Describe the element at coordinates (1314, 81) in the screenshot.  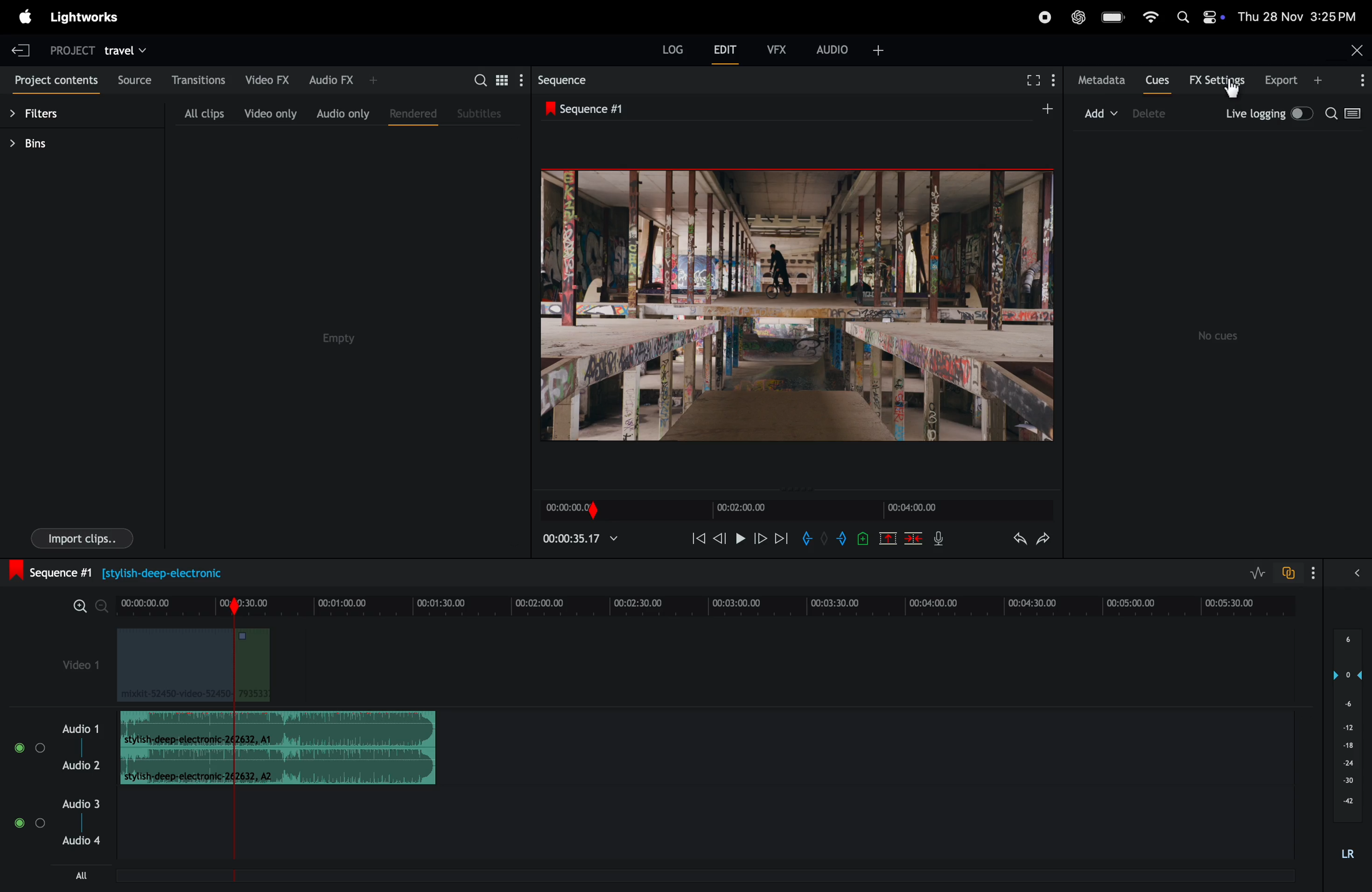
I see `exports` at that location.